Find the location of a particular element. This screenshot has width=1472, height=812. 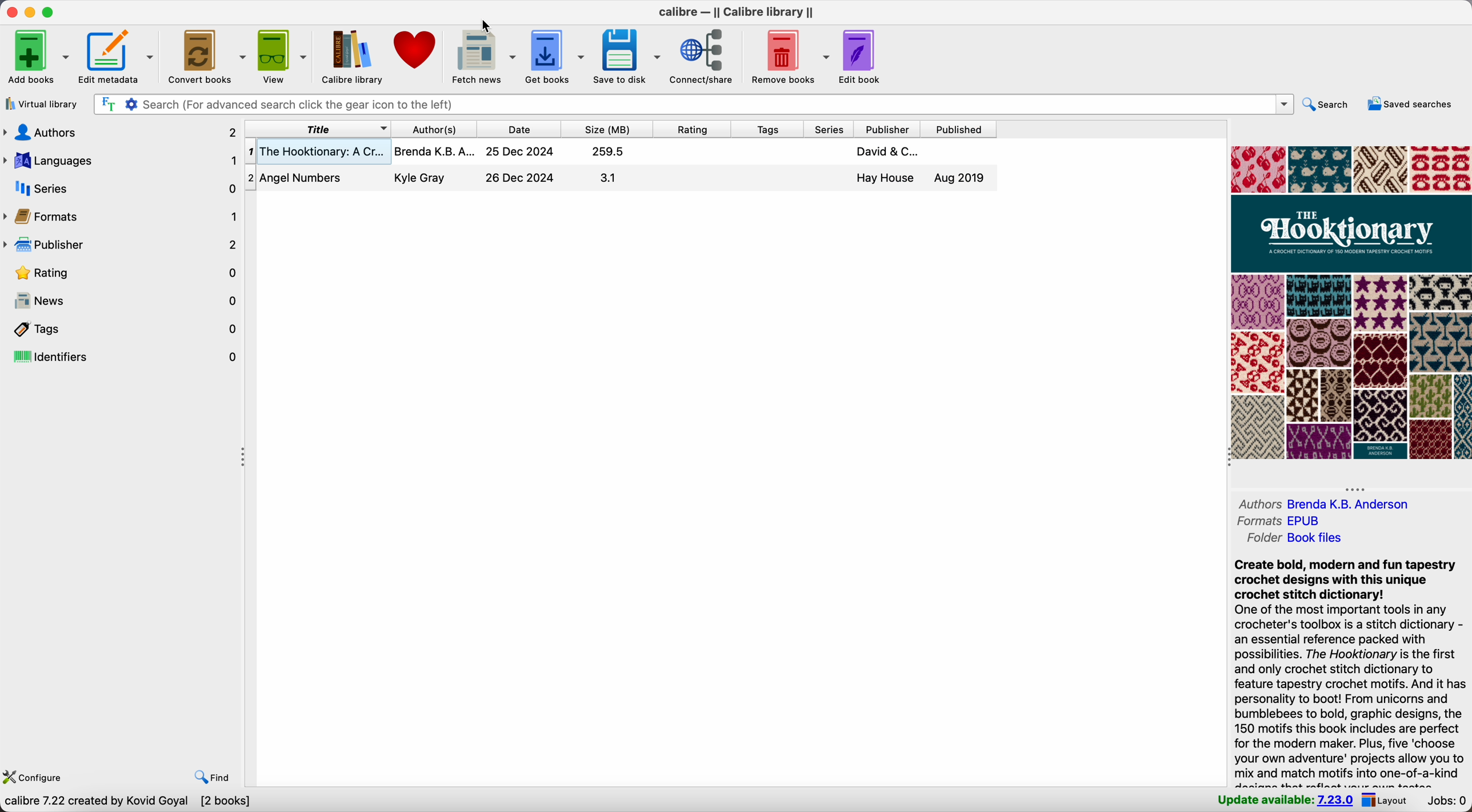

convert books is located at coordinates (205, 55).